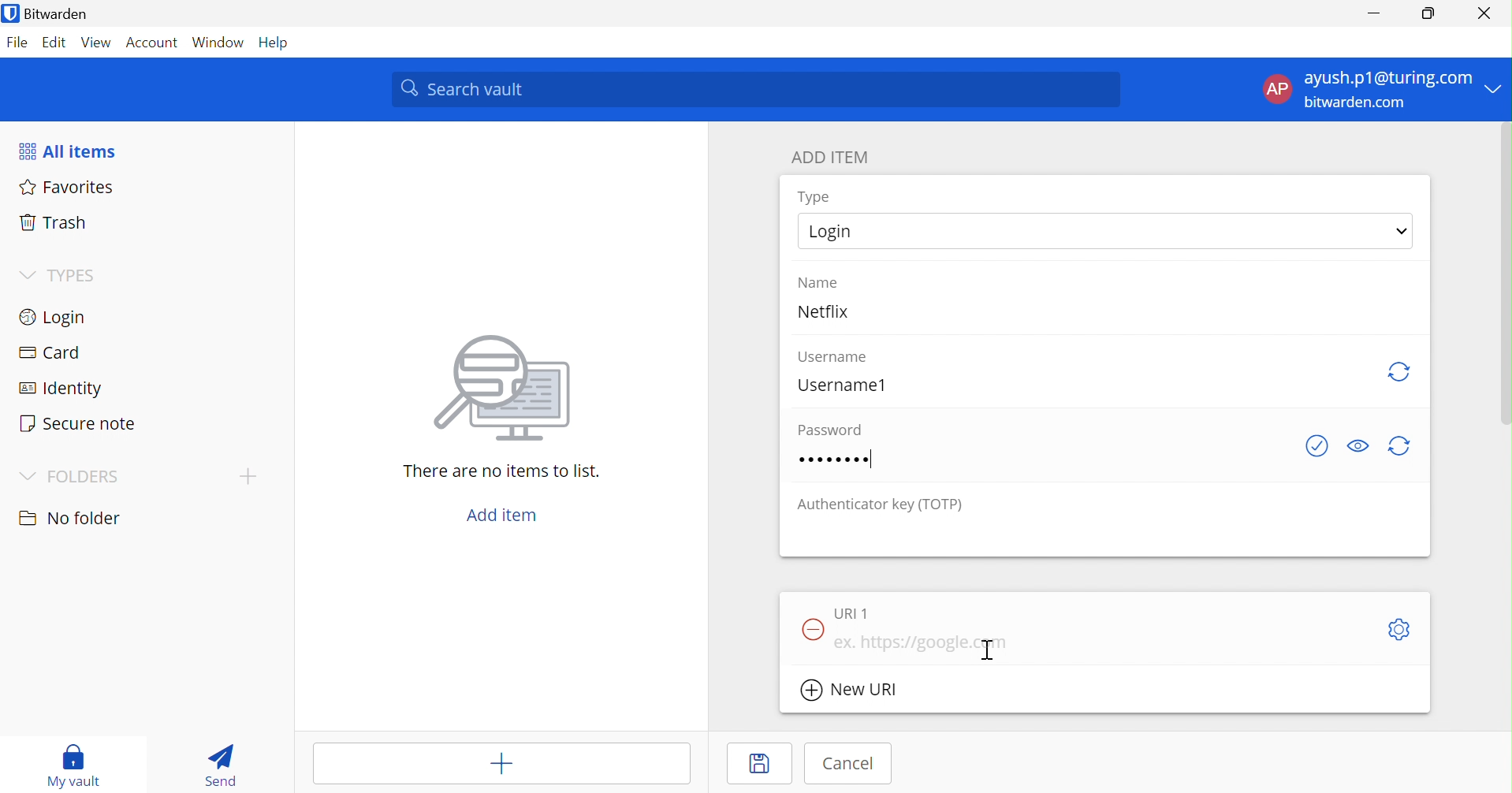 The image size is (1512, 793). What do you see at coordinates (829, 157) in the screenshot?
I see `ADD ITEM` at bounding box center [829, 157].